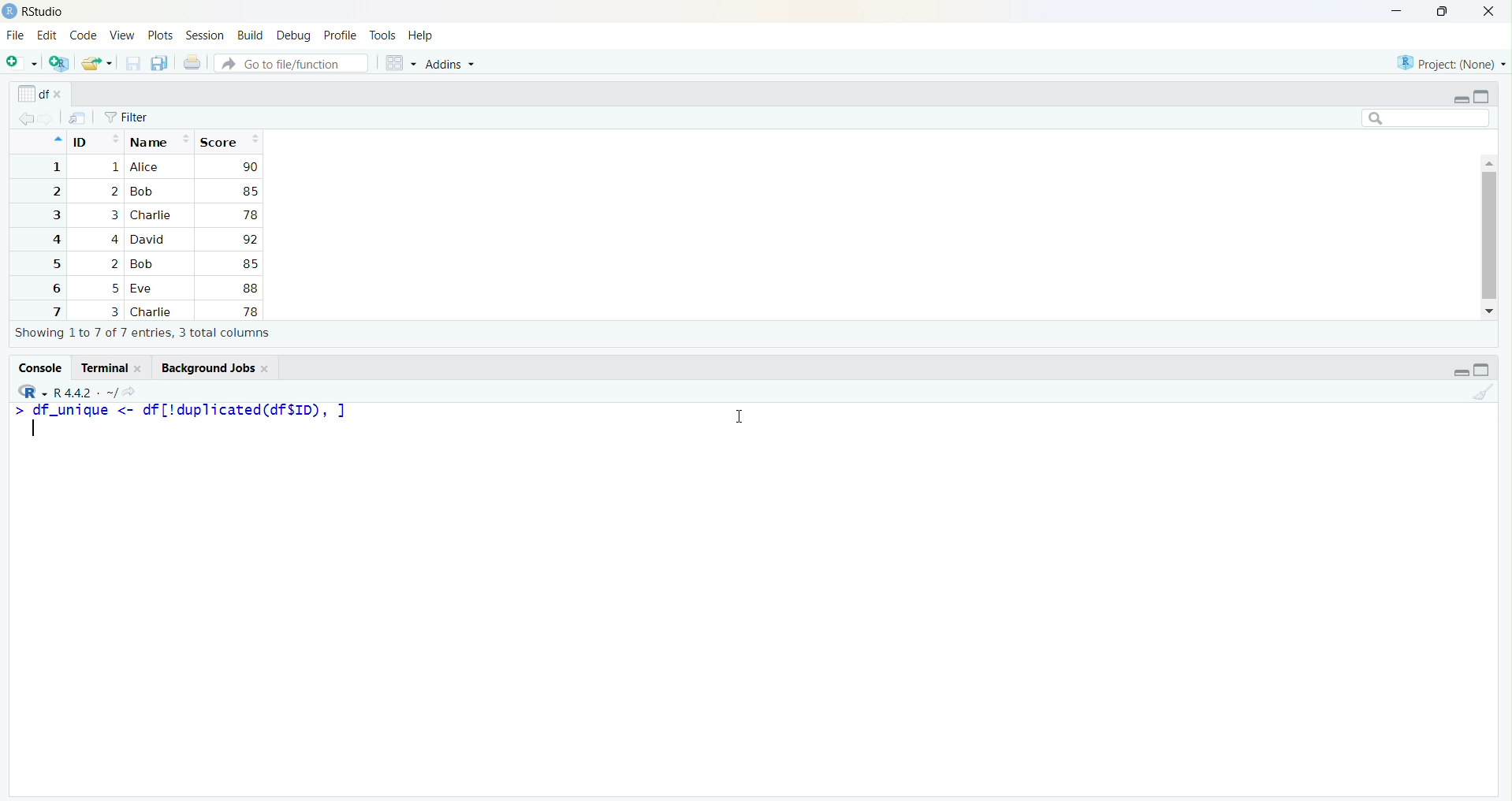 The width and height of the screenshot is (1512, 801). What do you see at coordinates (249, 311) in the screenshot?
I see `78` at bounding box center [249, 311].